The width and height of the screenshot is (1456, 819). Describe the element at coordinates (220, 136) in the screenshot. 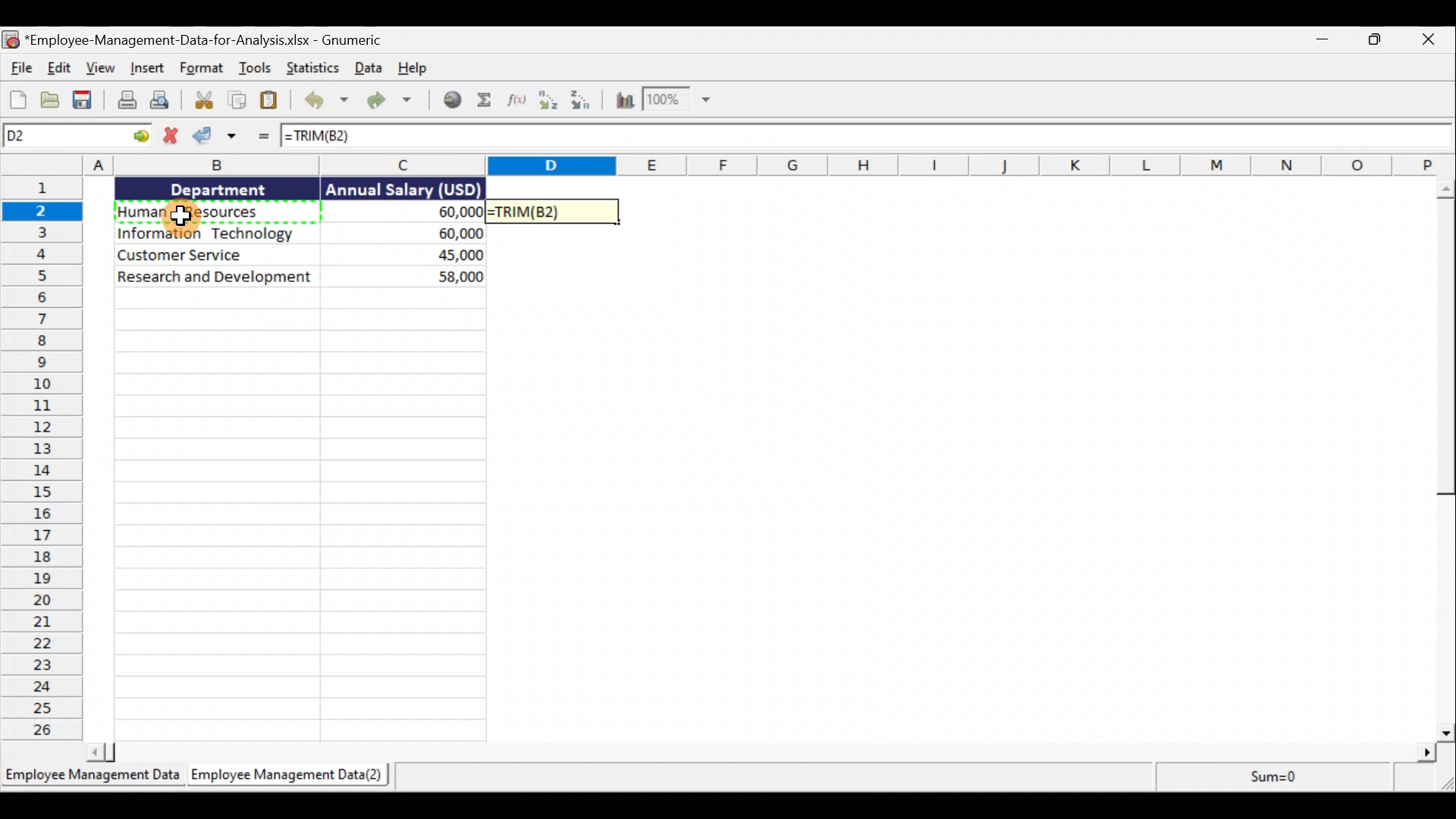

I see `Accept change` at that location.